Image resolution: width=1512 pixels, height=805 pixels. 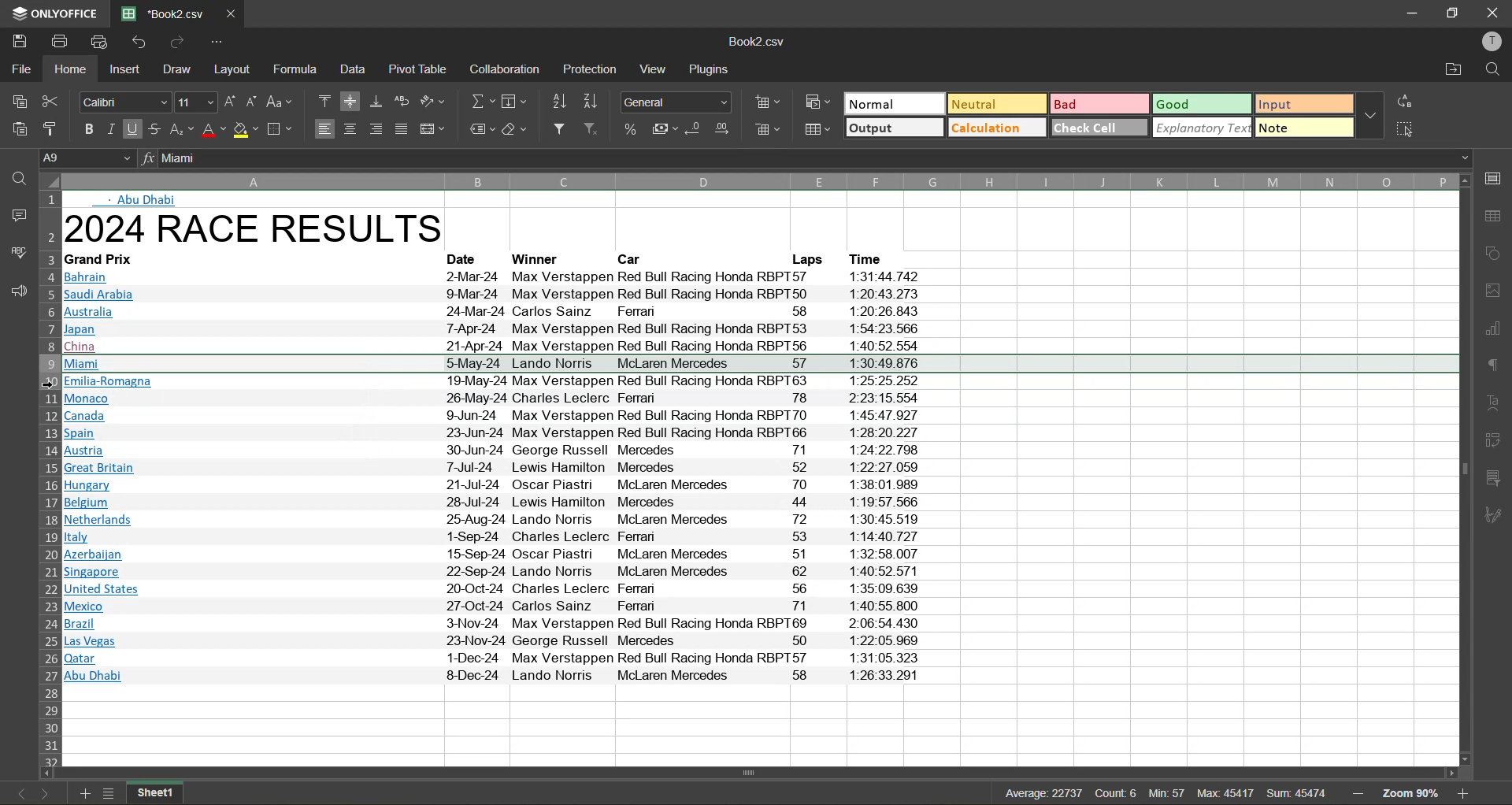 What do you see at coordinates (817, 131) in the screenshot?
I see `format as table` at bounding box center [817, 131].